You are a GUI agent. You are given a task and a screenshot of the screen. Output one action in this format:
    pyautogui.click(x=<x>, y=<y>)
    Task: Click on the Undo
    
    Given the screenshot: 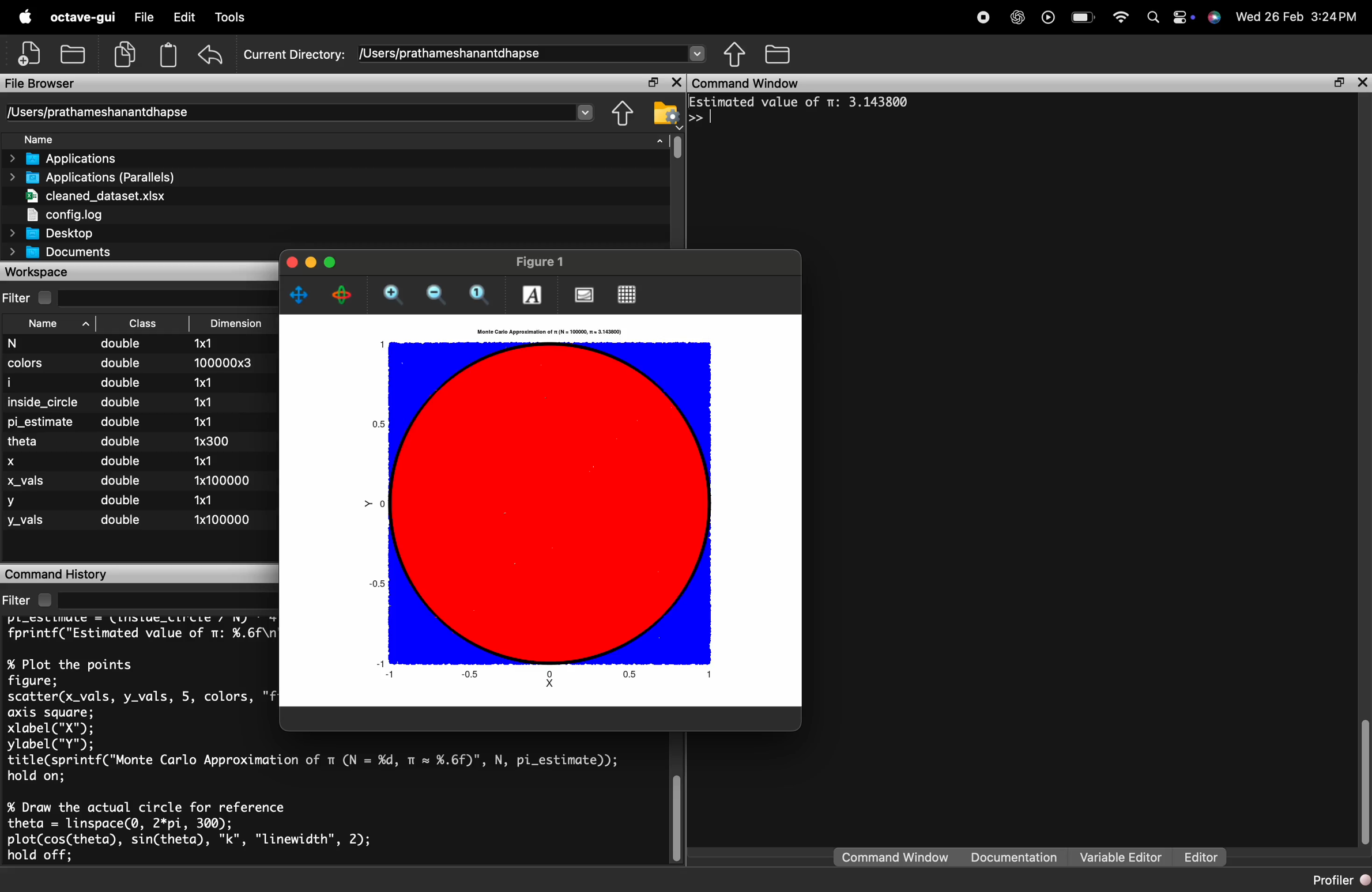 What is the action you would take?
    pyautogui.click(x=210, y=56)
    